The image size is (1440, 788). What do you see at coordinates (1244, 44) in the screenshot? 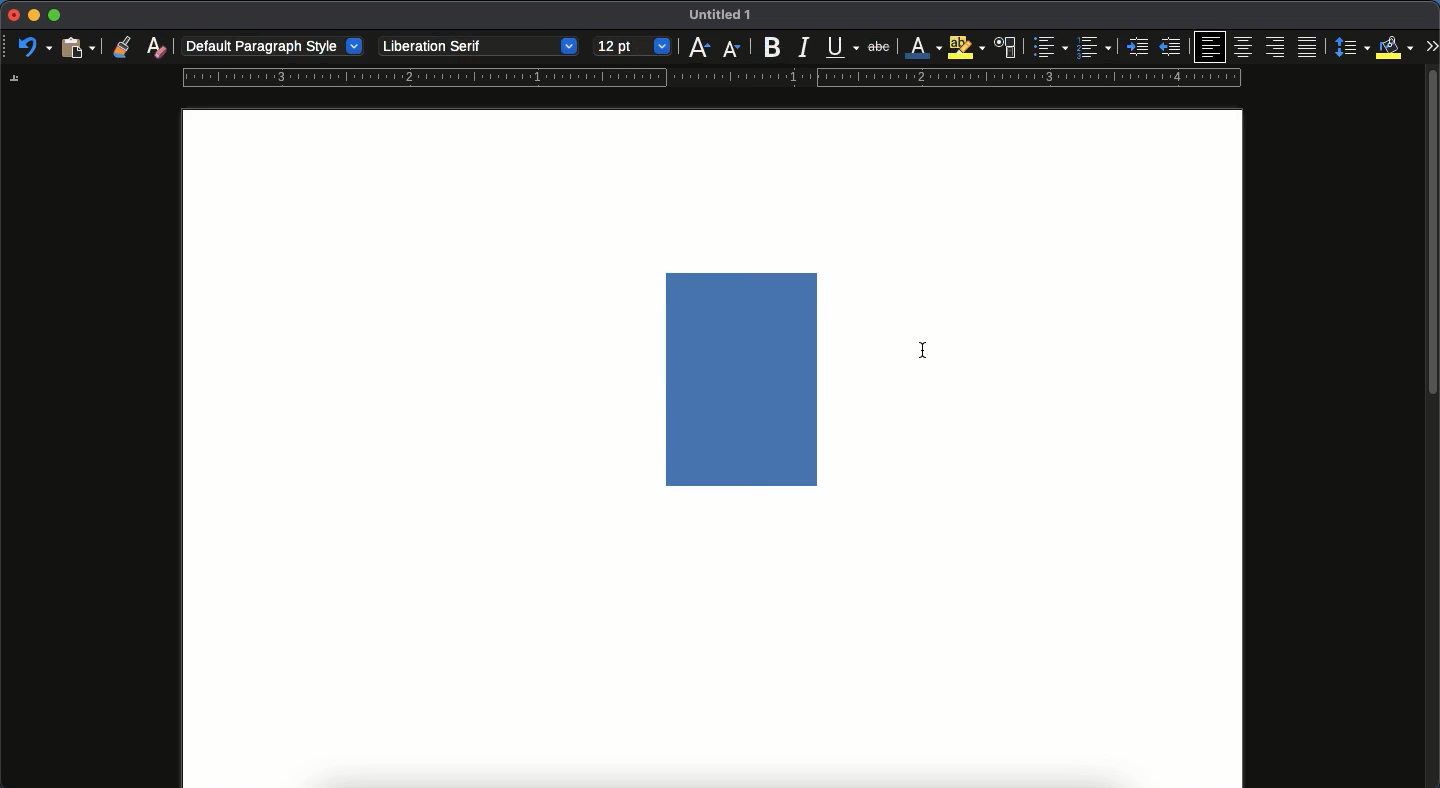
I see `center align` at bounding box center [1244, 44].